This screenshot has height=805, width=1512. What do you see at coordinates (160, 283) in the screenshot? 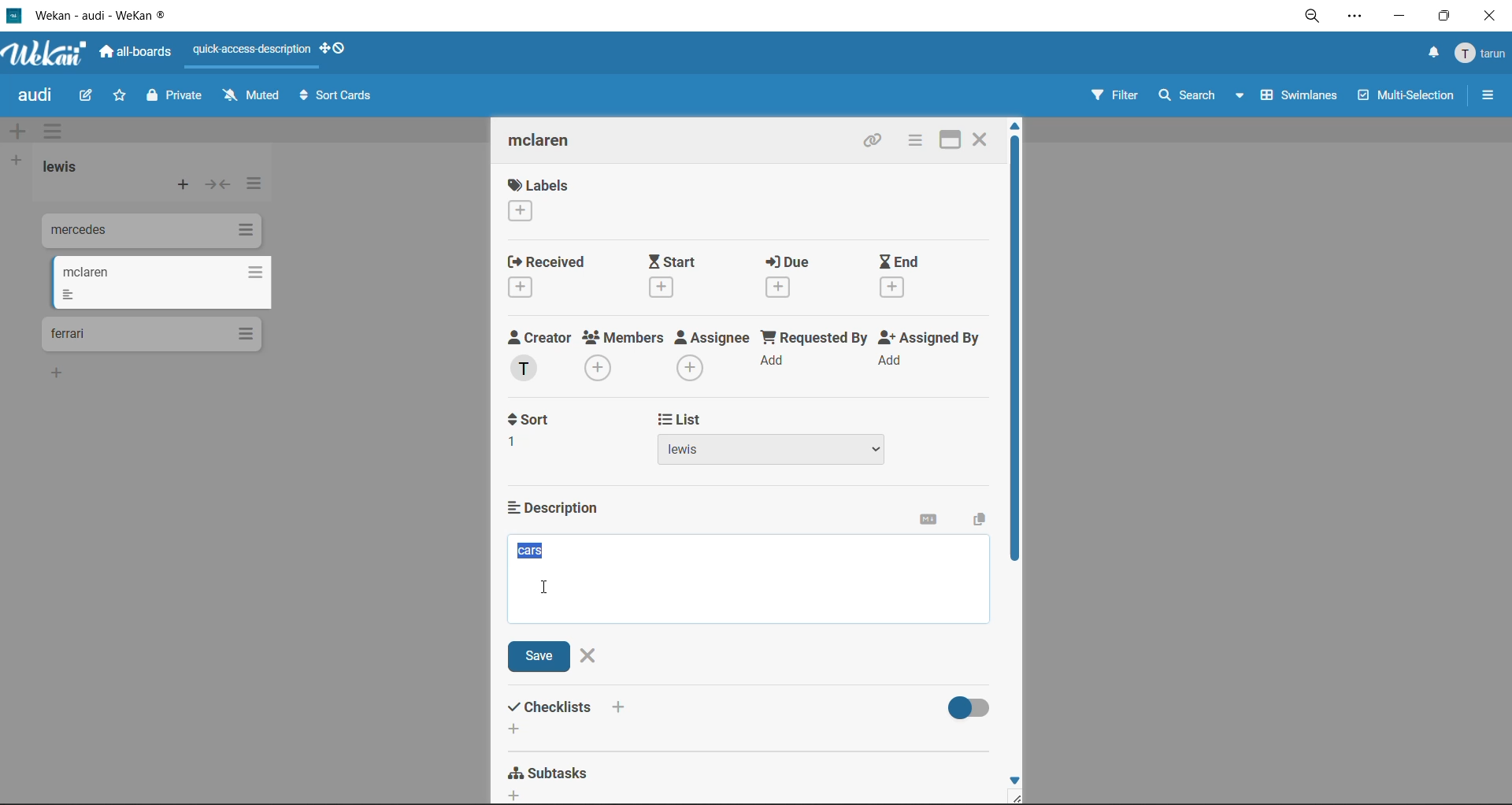
I see `cards` at bounding box center [160, 283].